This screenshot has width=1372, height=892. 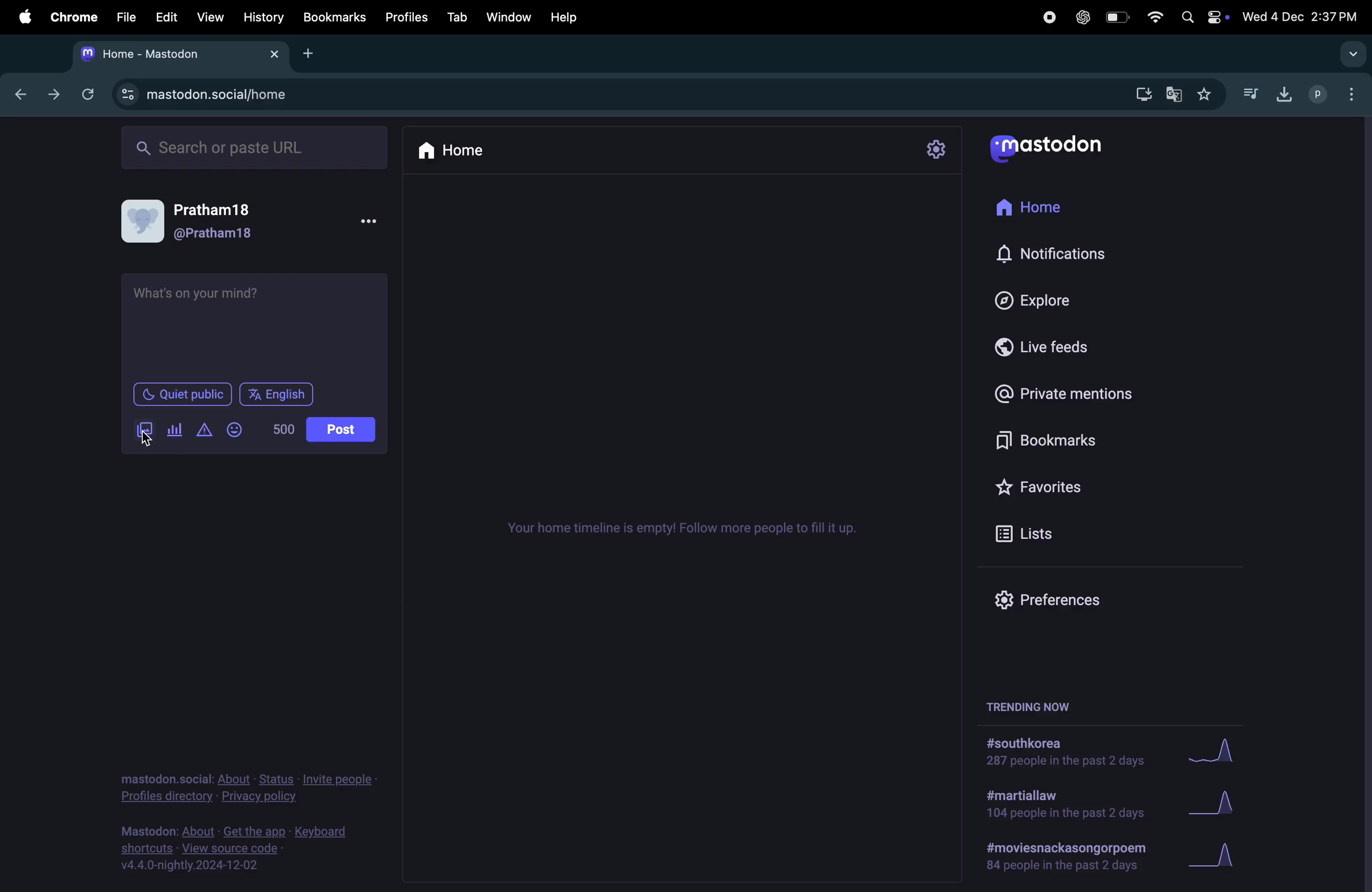 What do you see at coordinates (1051, 345) in the screenshot?
I see `live feeds` at bounding box center [1051, 345].